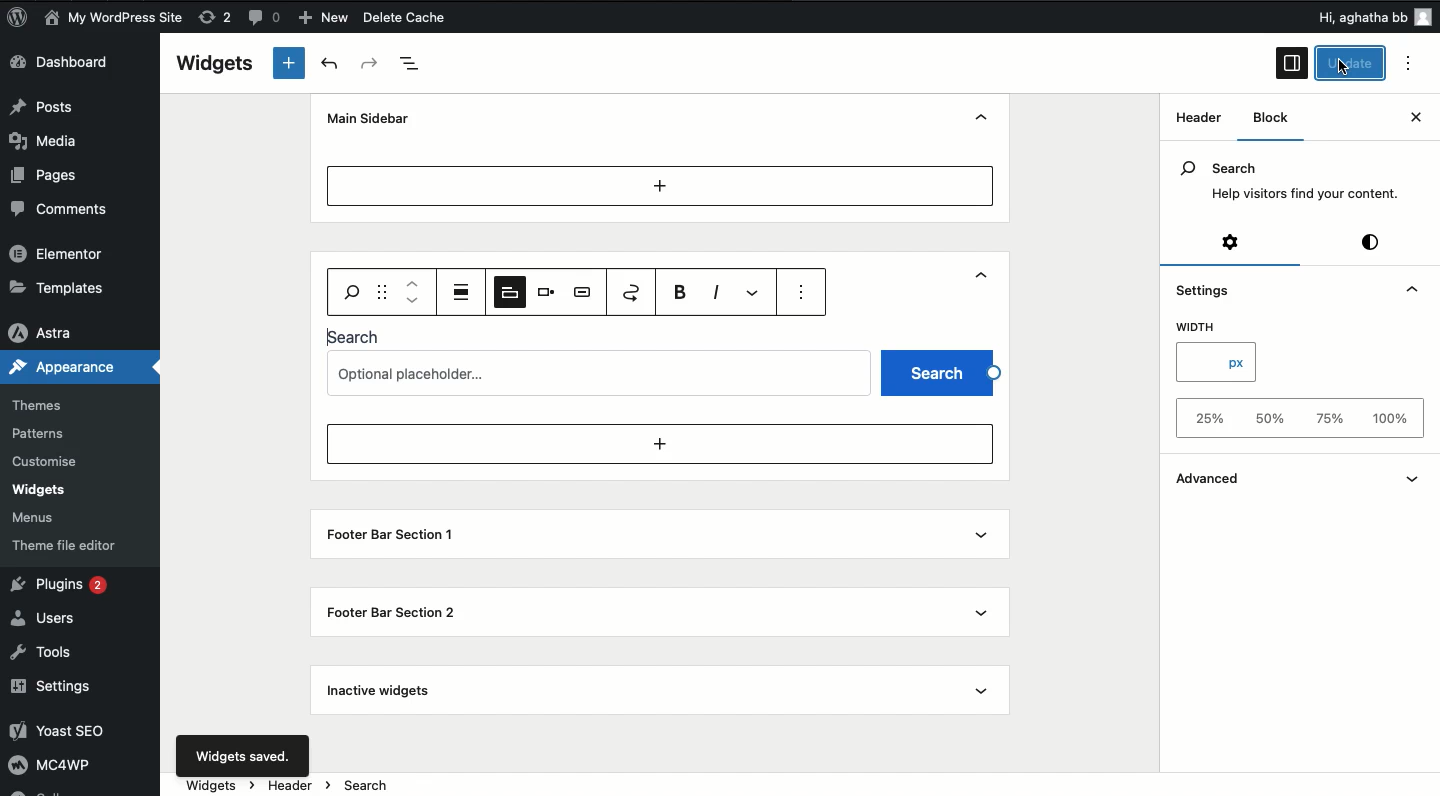 This screenshot has height=796, width=1440. What do you see at coordinates (58, 287) in the screenshot?
I see `Templates` at bounding box center [58, 287].